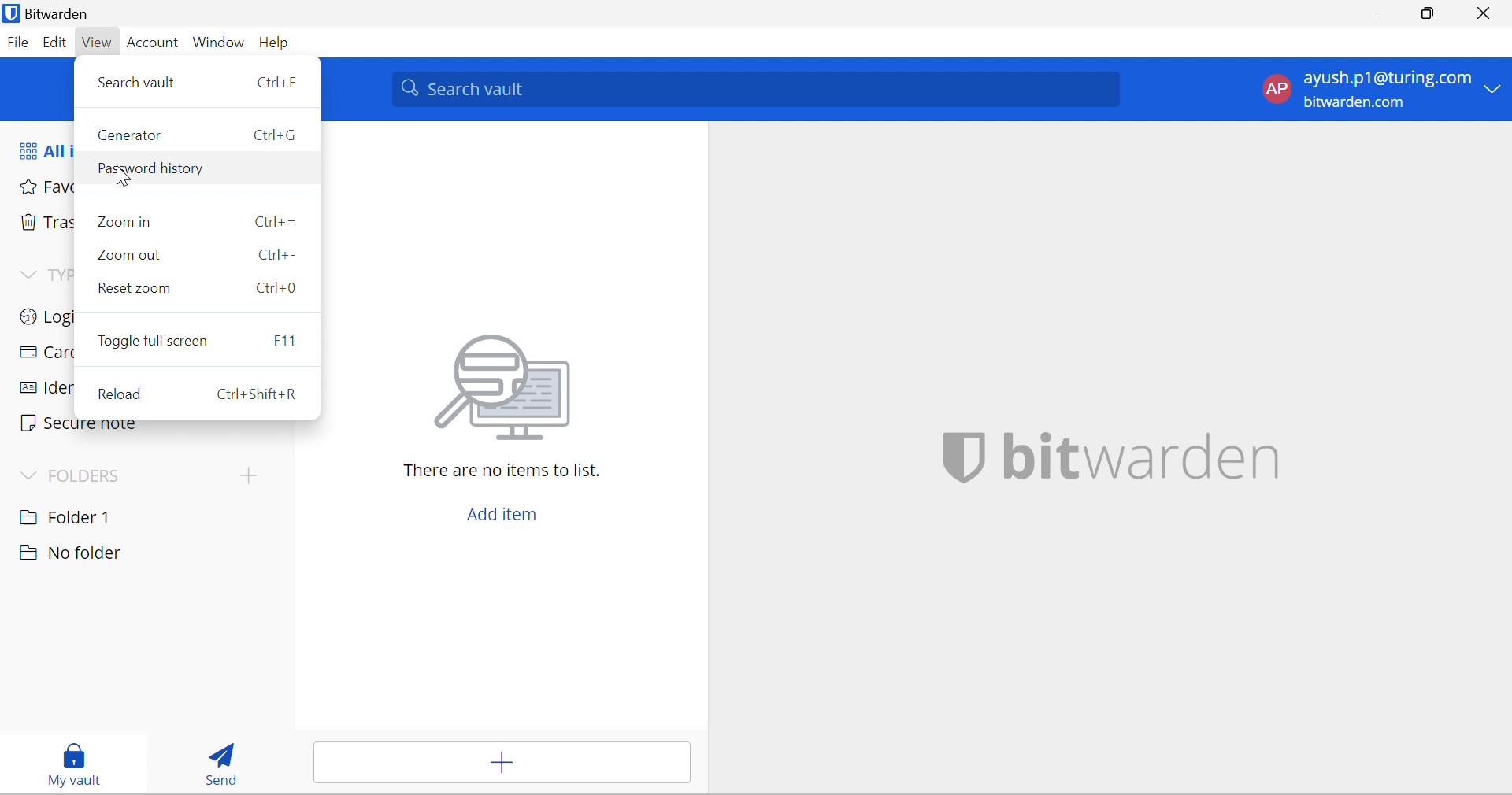 This screenshot has width=1512, height=795. What do you see at coordinates (217, 760) in the screenshot?
I see `Send` at bounding box center [217, 760].